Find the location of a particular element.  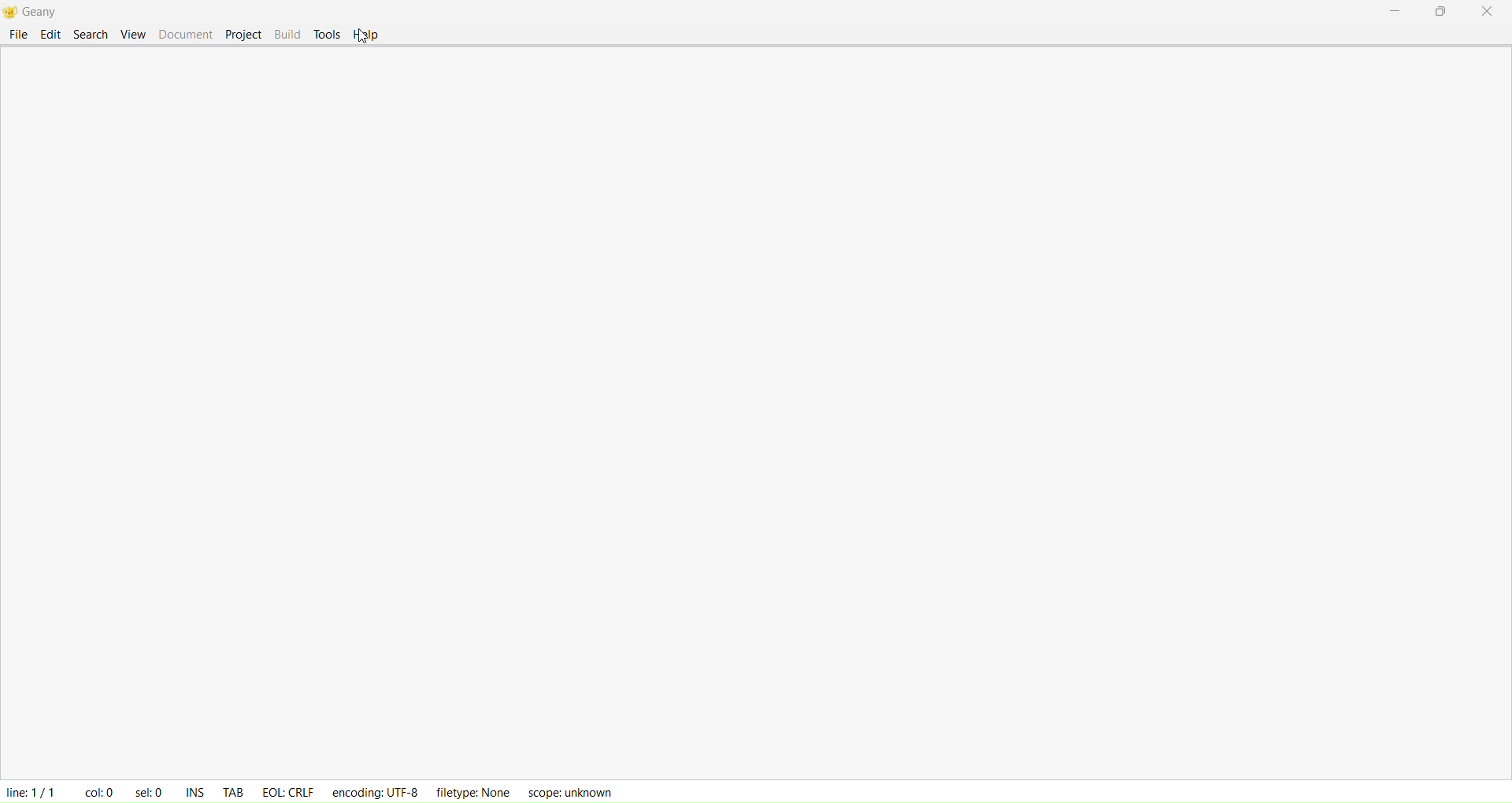

ins is located at coordinates (195, 787).